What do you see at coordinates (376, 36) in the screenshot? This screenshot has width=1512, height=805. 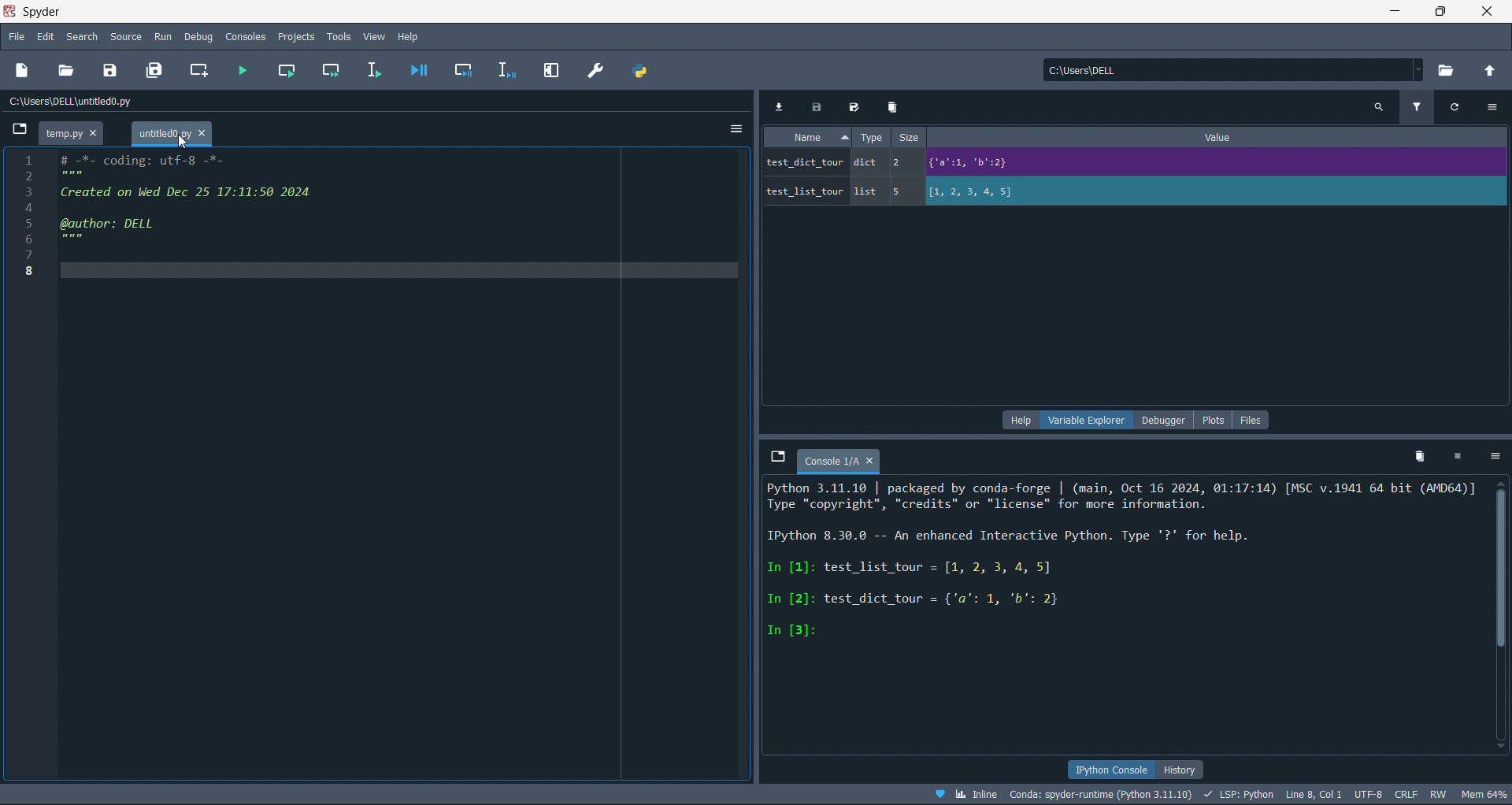 I see `view` at bounding box center [376, 36].